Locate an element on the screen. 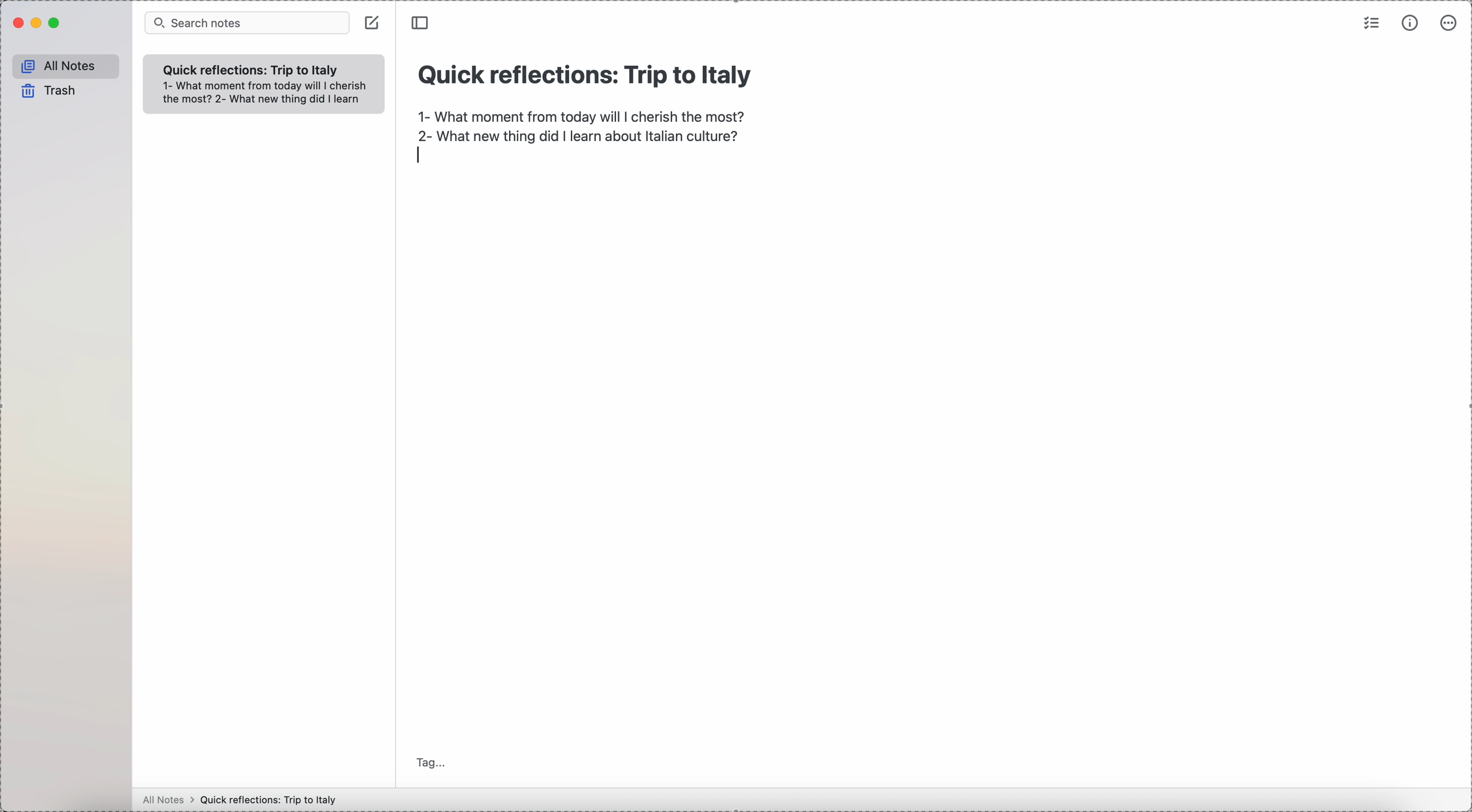  check list is located at coordinates (1372, 22).